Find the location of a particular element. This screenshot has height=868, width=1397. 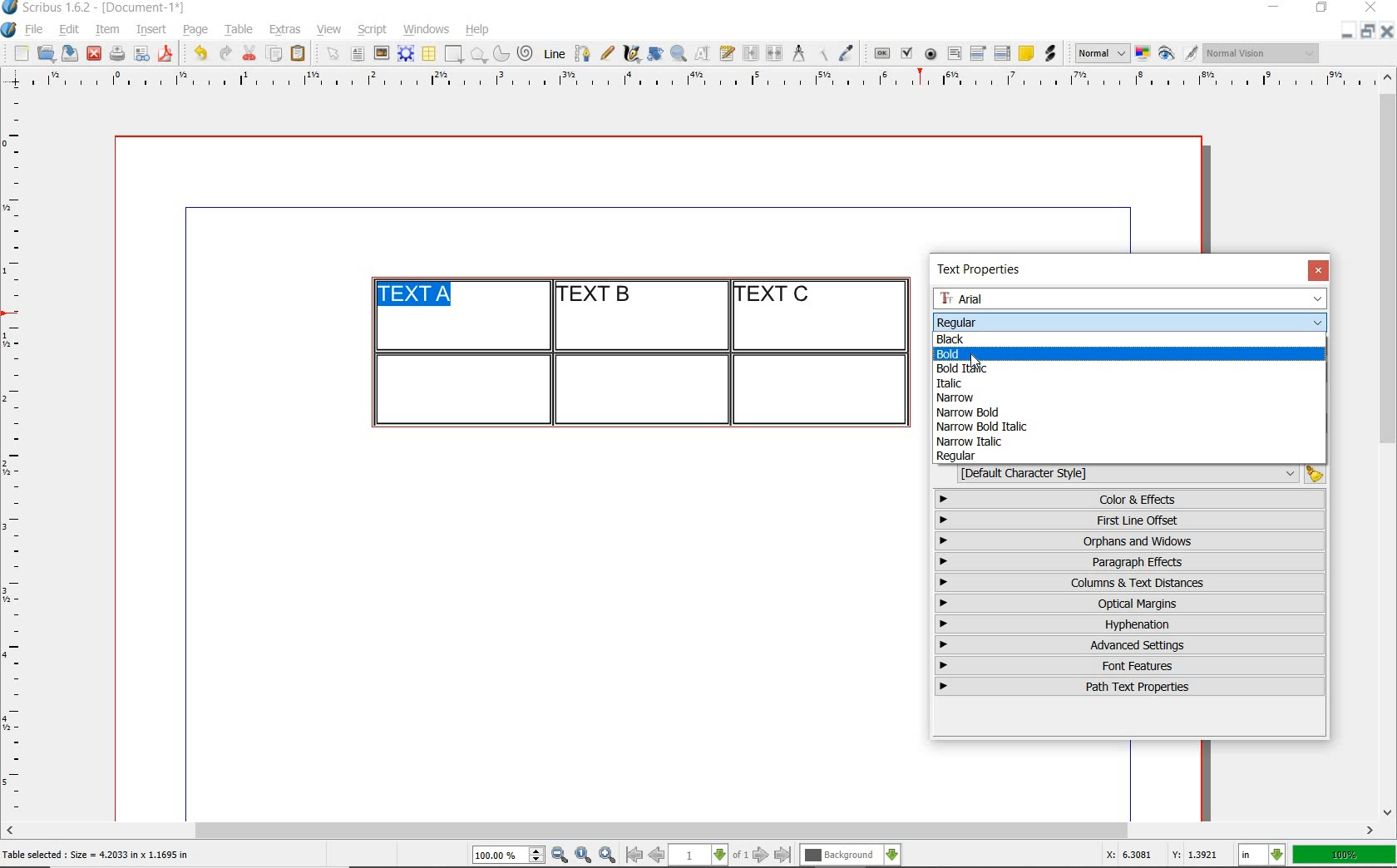

hyphenation is located at coordinates (1130, 624).